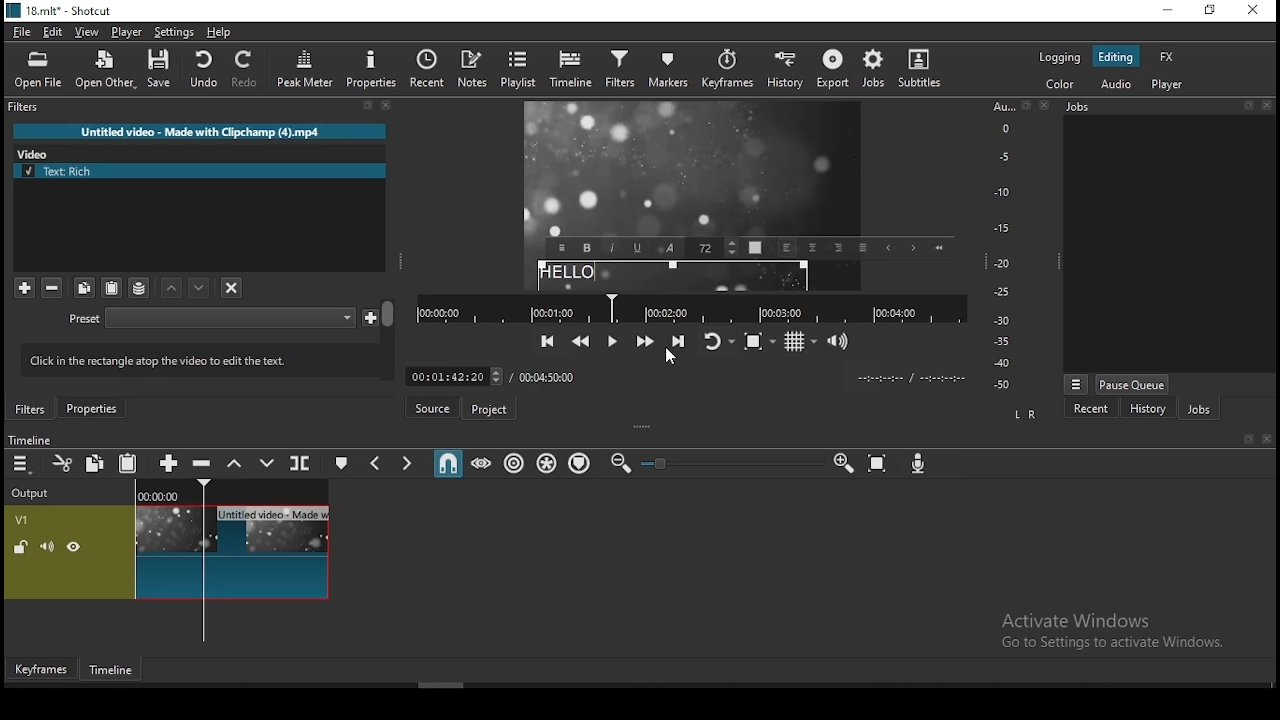  I want to click on audio, so click(1115, 85).